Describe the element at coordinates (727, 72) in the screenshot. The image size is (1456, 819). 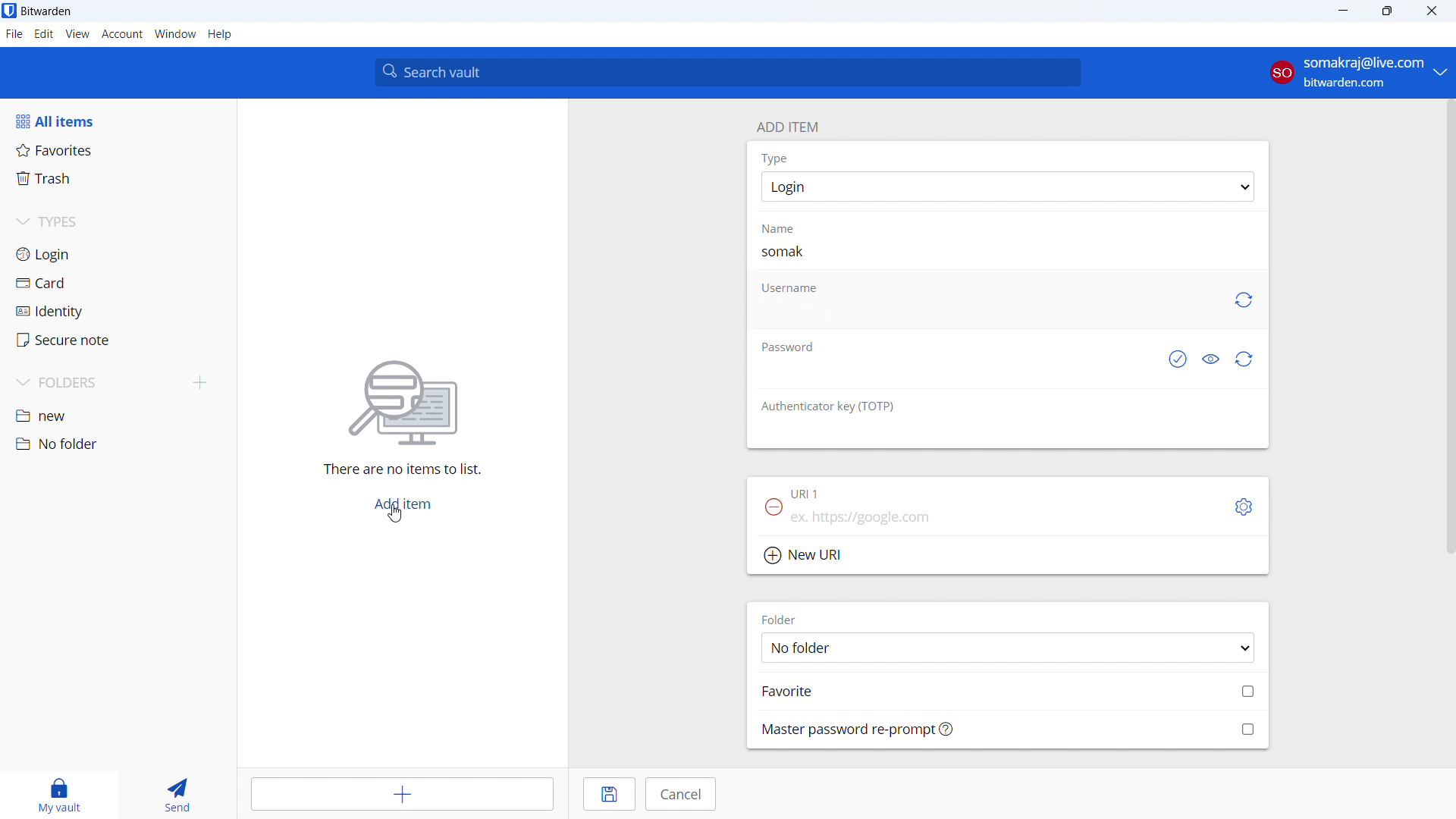
I see `search vault` at that location.